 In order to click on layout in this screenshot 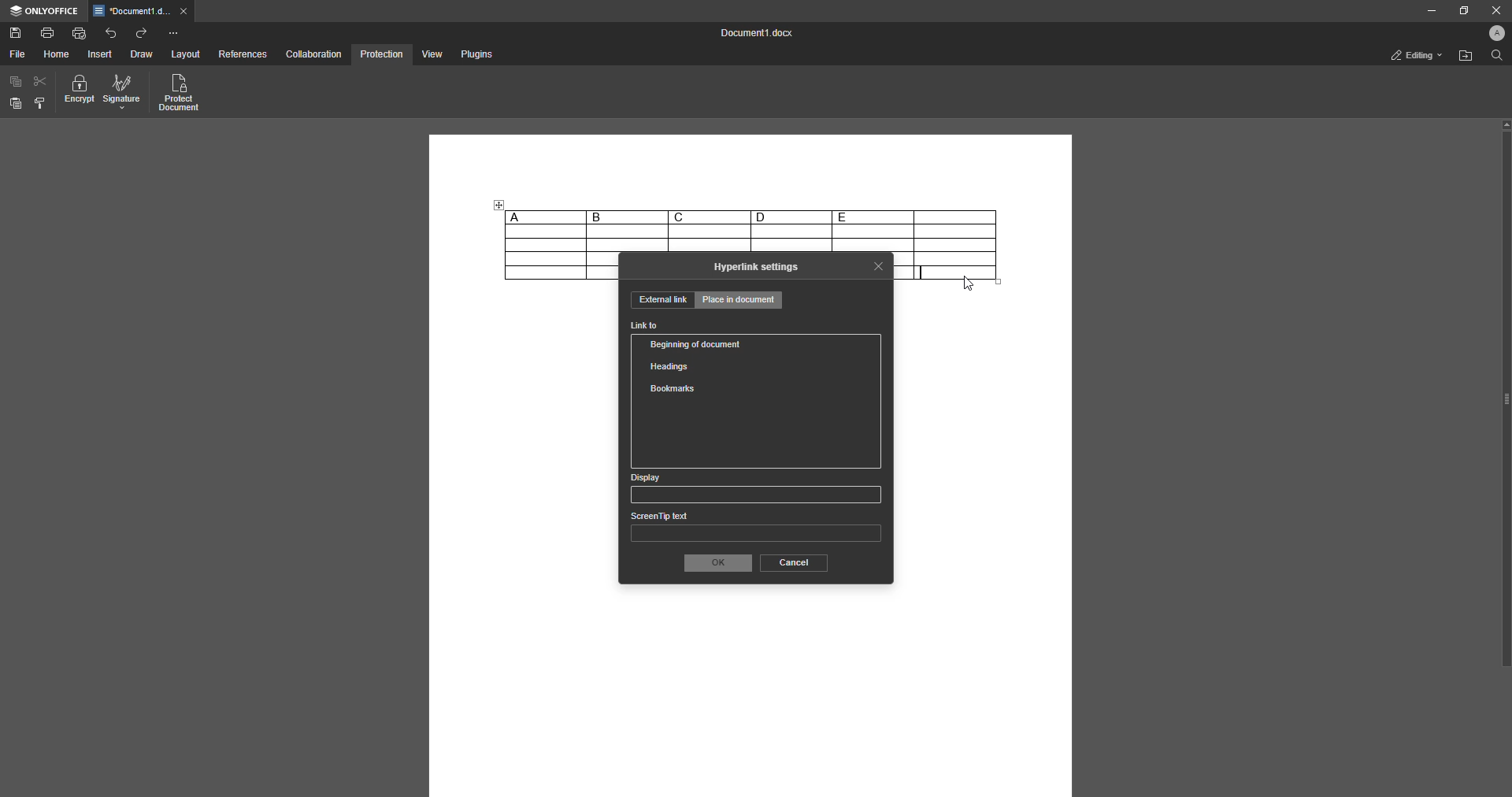, I will do `click(187, 55)`.